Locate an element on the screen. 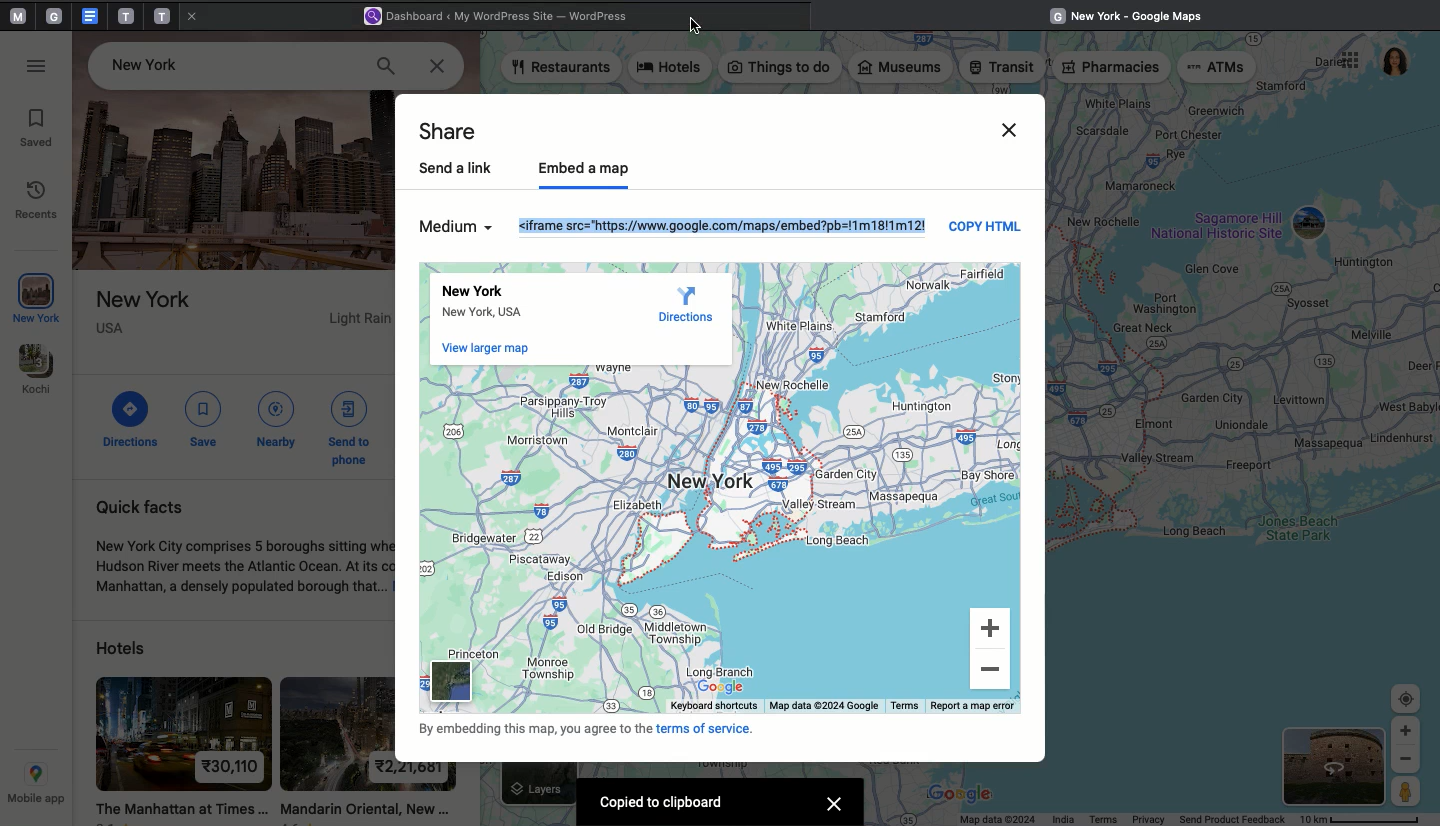 The width and height of the screenshot is (1440, 826). Person is located at coordinates (1408, 794).